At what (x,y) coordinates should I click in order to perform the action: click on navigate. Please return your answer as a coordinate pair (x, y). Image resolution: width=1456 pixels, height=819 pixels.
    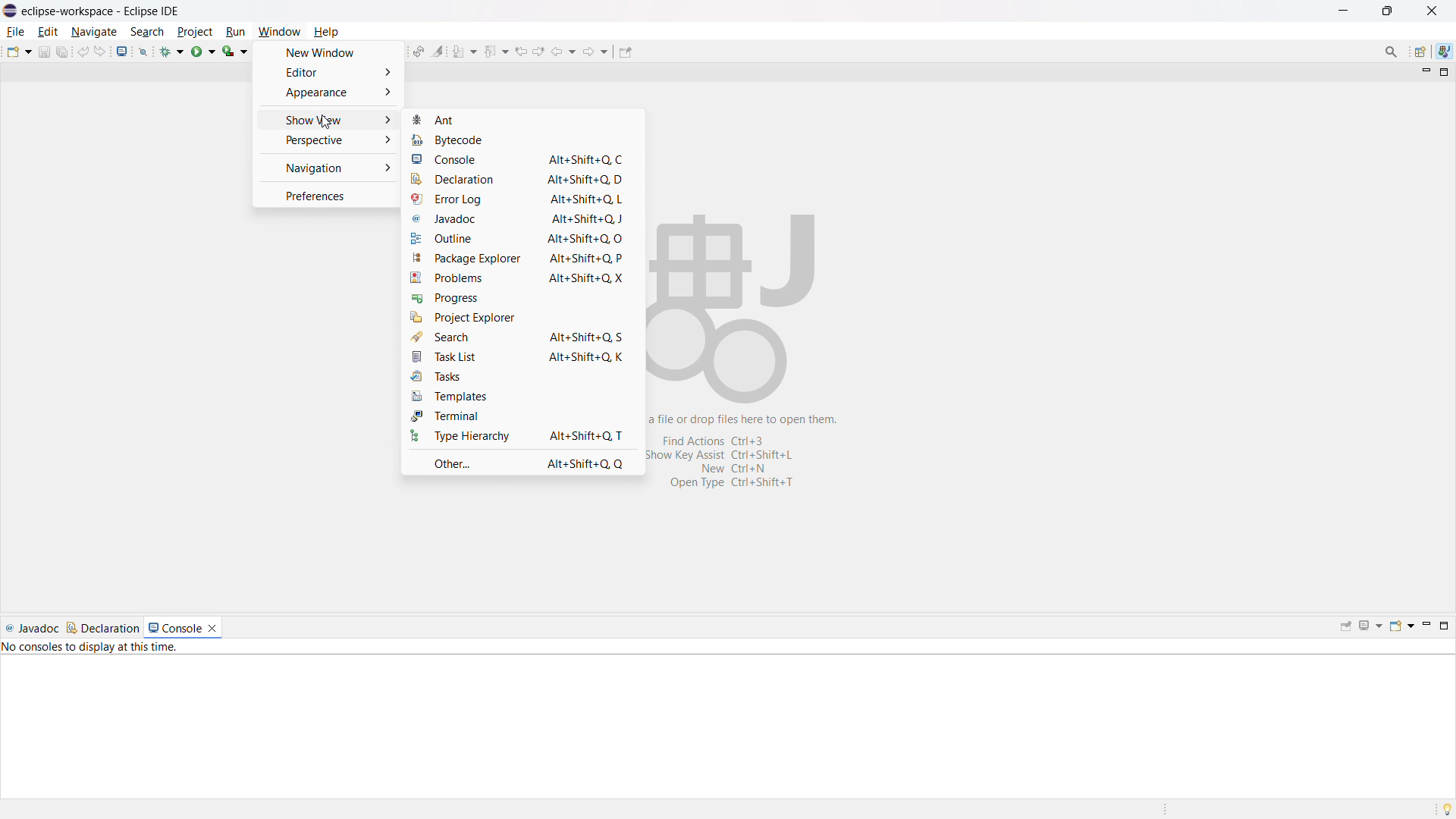
    Looking at the image, I should click on (95, 32).